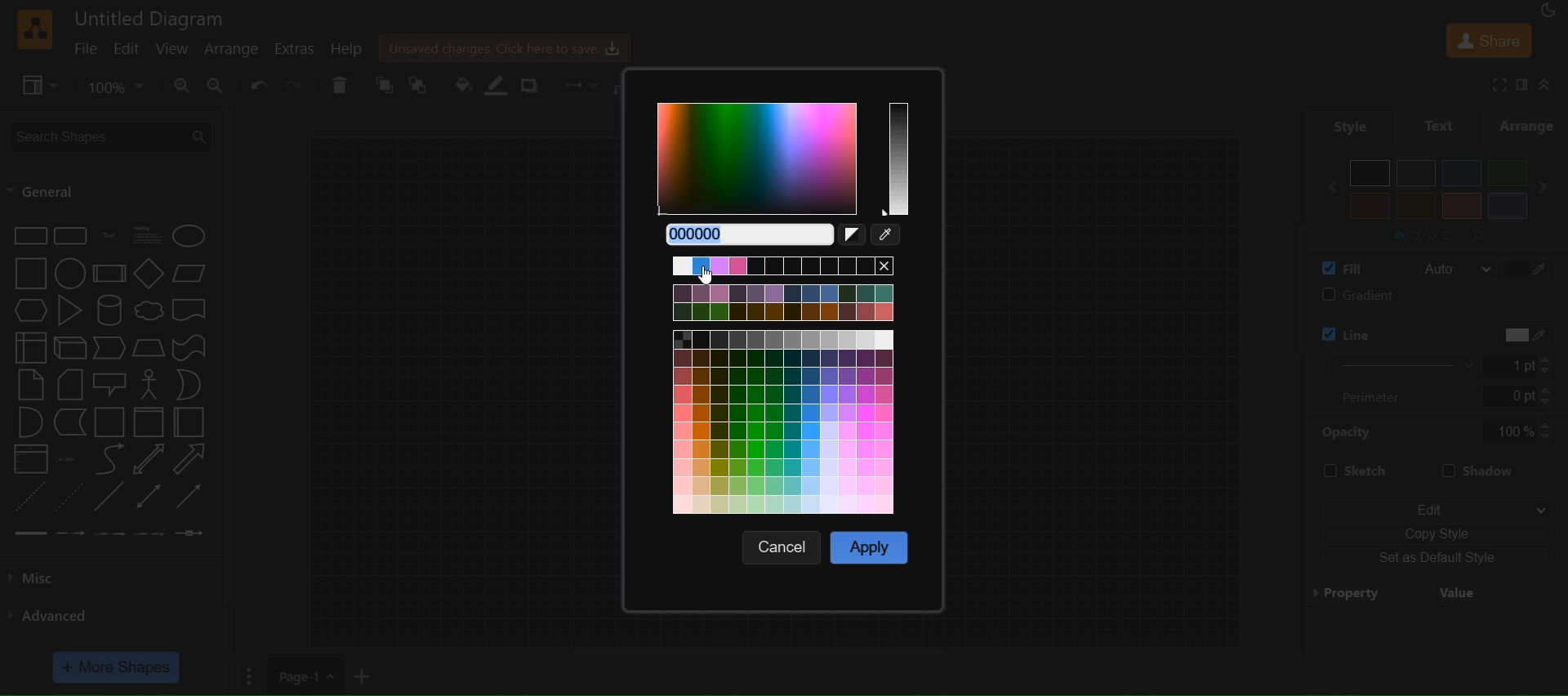 This screenshot has width=1568, height=696. Describe the element at coordinates (26, 496) in the screenshot. I see `dashed line` at that location.